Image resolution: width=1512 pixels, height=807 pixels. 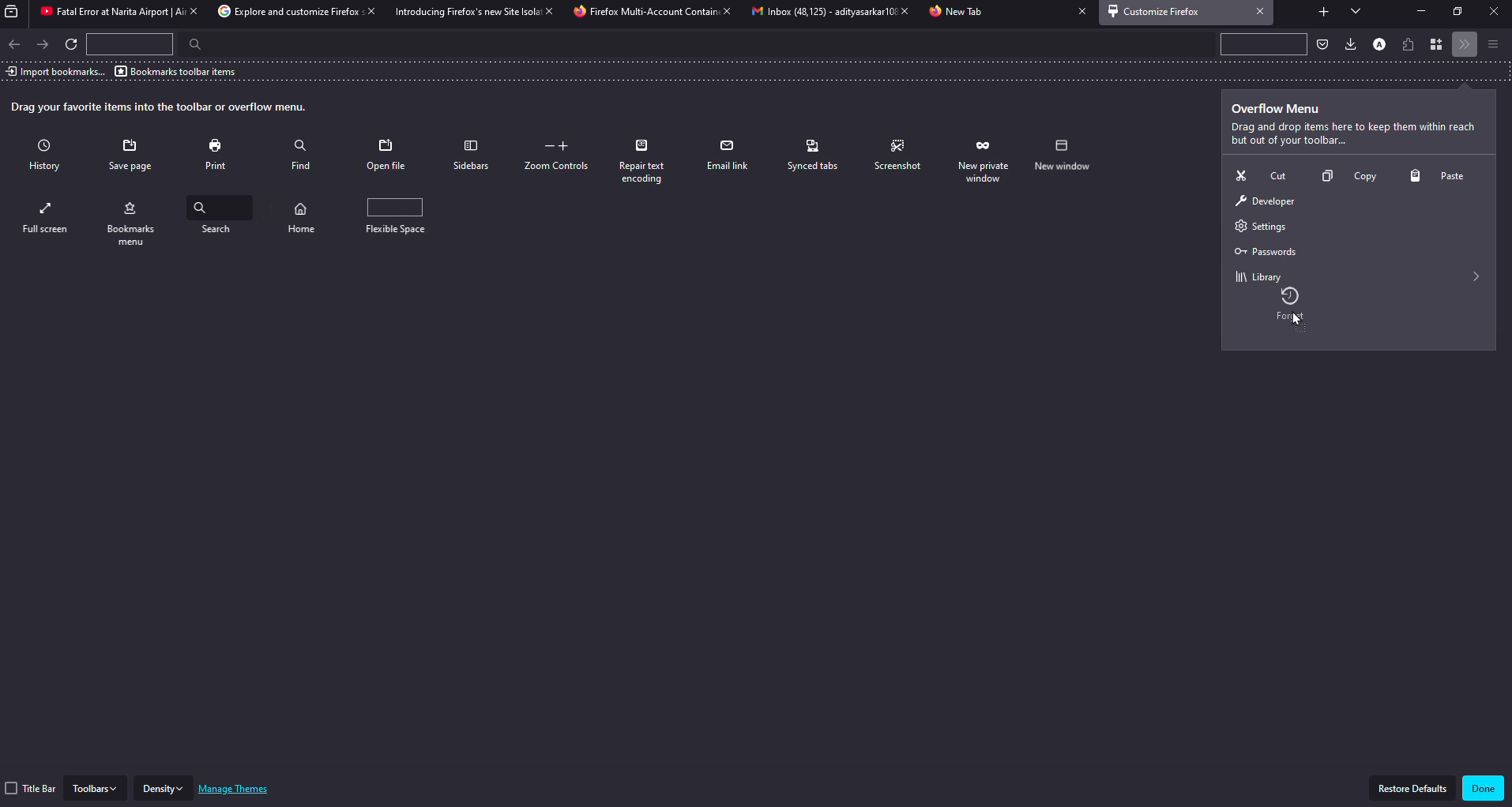 I want to click on email link, so click(x=729, y=155).